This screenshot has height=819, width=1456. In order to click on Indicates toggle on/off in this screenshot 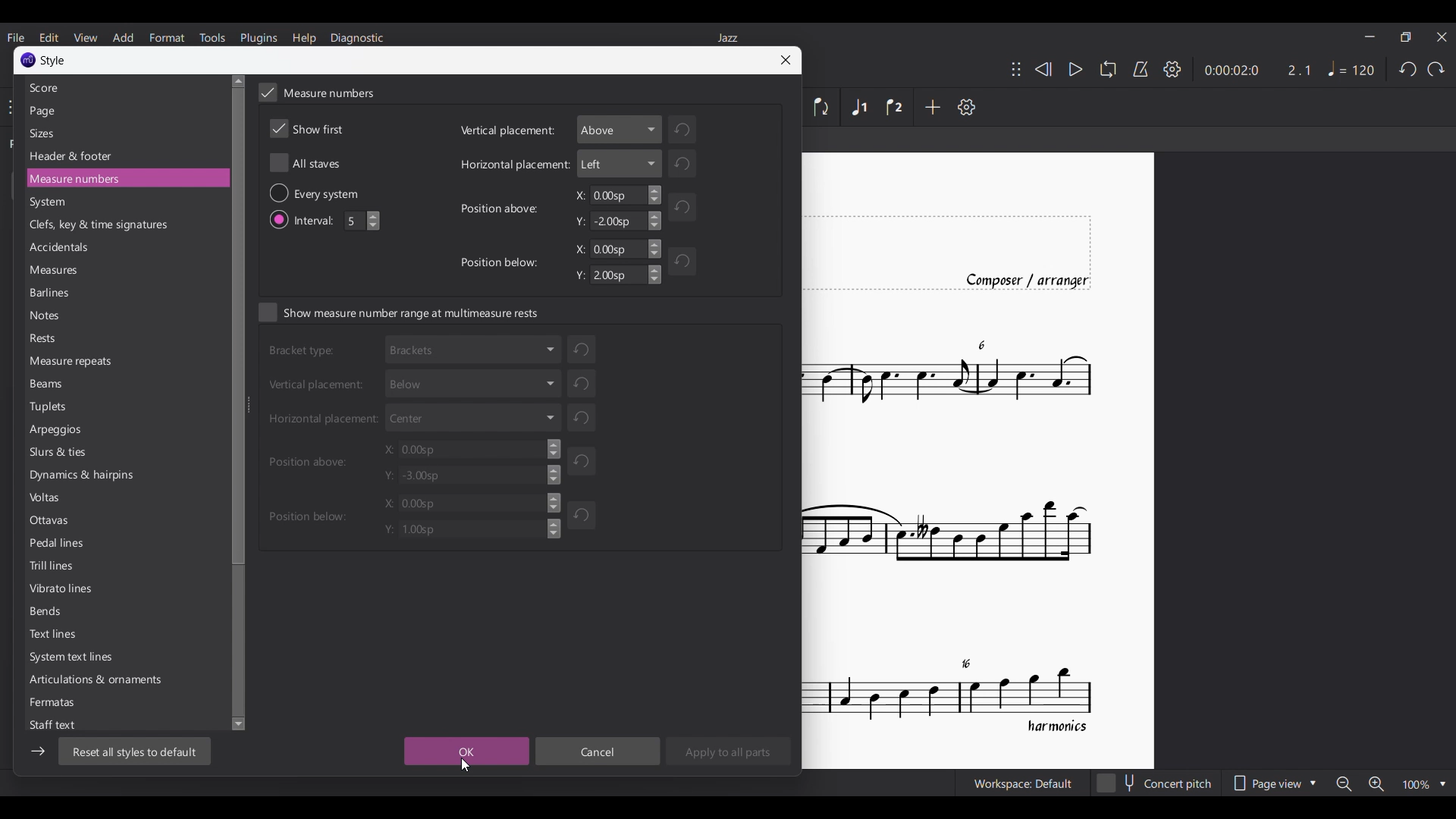, I will do `click(281, 220)`.